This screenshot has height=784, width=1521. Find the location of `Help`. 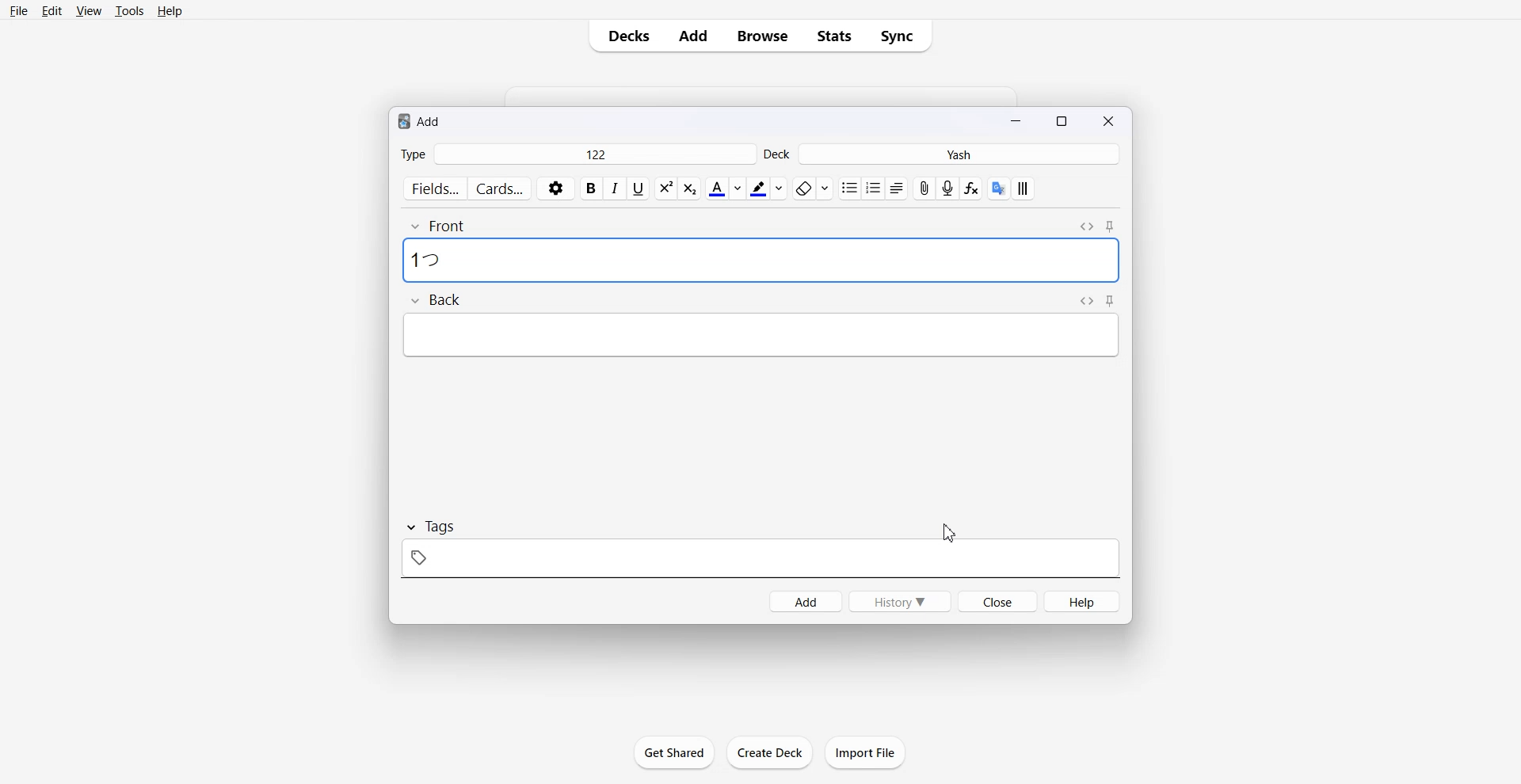

Help is located at coordinates (170, 10).